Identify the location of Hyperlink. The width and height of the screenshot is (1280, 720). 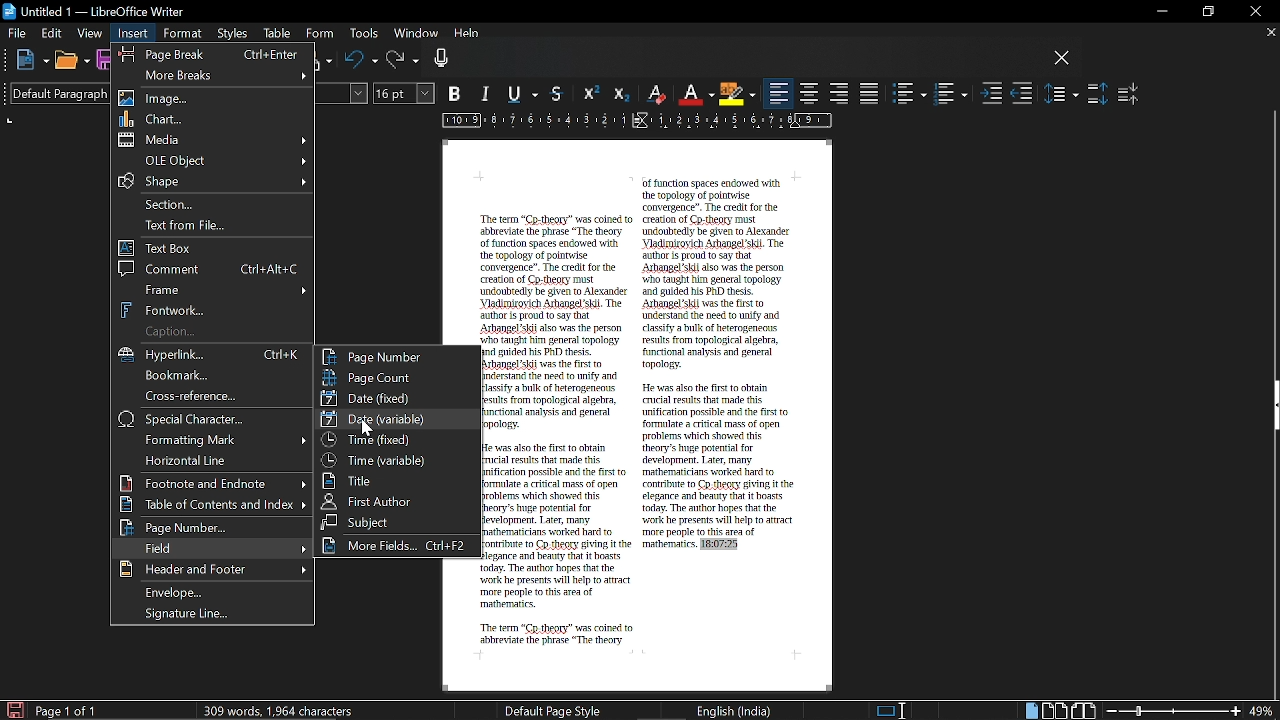
(216, 355).